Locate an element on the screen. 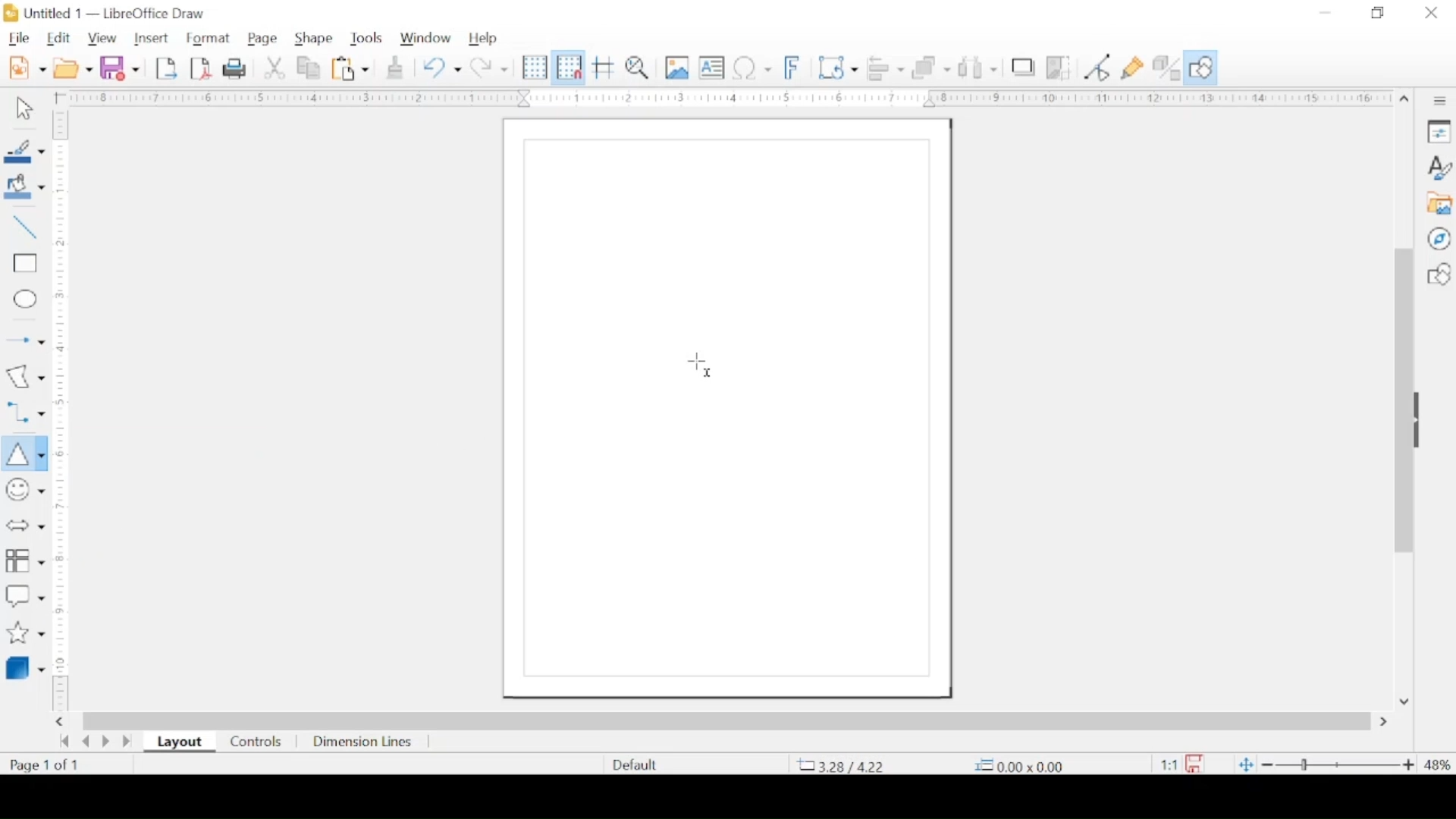 The height and width of the screenshot is (819, 1456). paste options is located at coordinates (351, 69).